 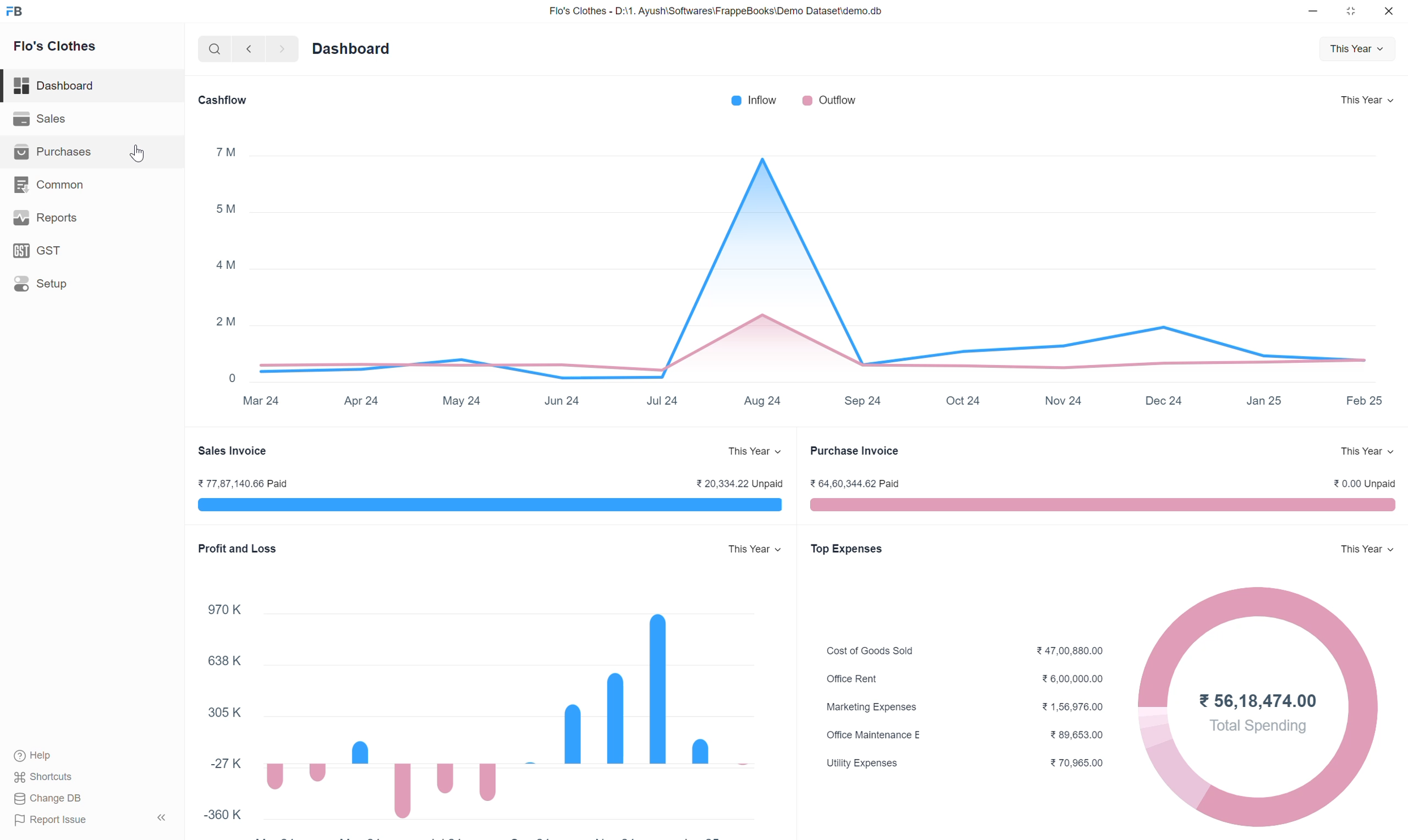 What do you see at coordinates (739, 483) in the screenshot?
I see `20,334.22 Unpaid` at bounding box center [739, 483].